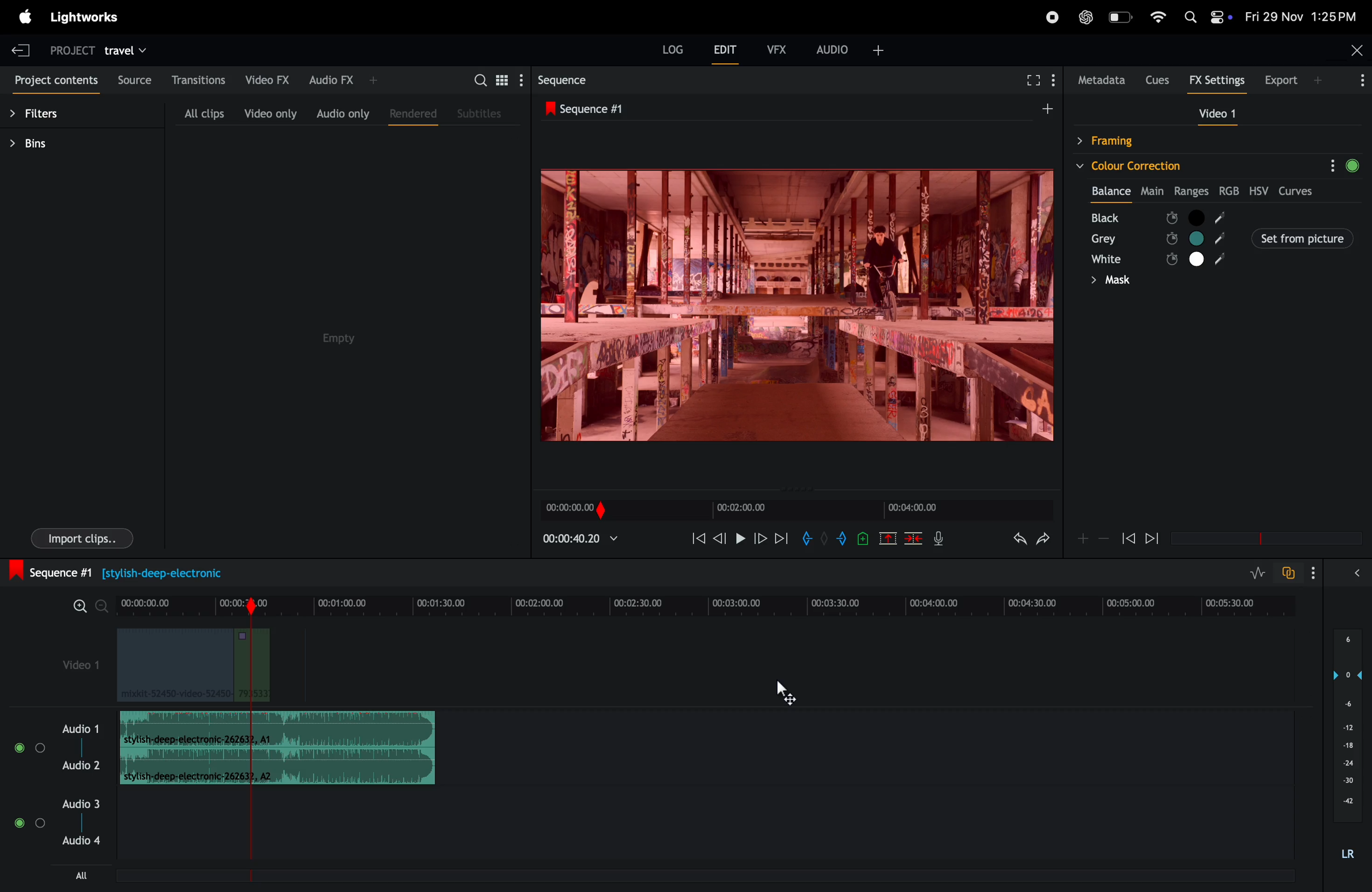  What do you see at coordinates (1157, 80) in the screenshot?
I see `cues` at bounding box center [1157, 80].